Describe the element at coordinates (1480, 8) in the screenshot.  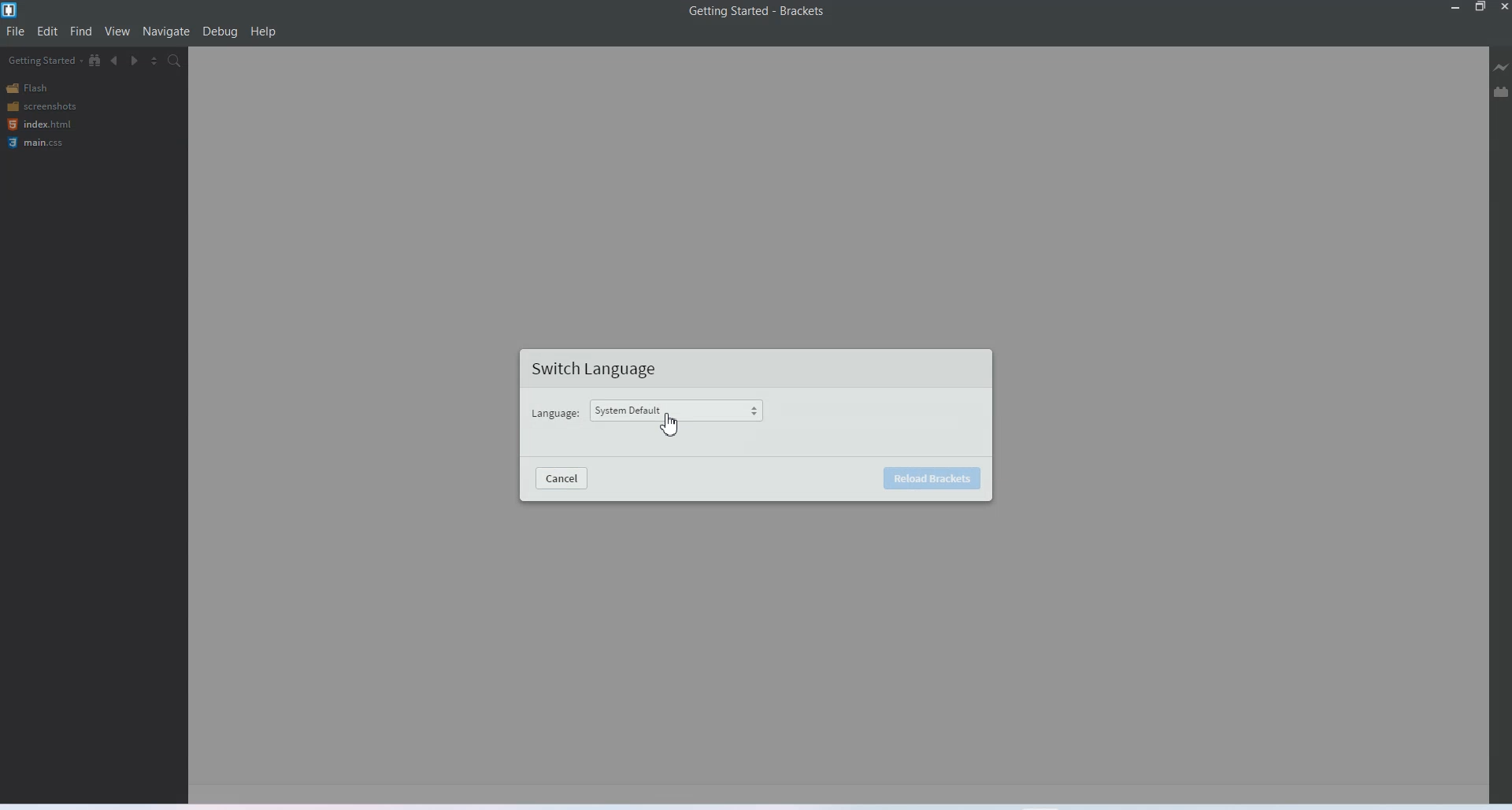
I see `maximize` at that location.